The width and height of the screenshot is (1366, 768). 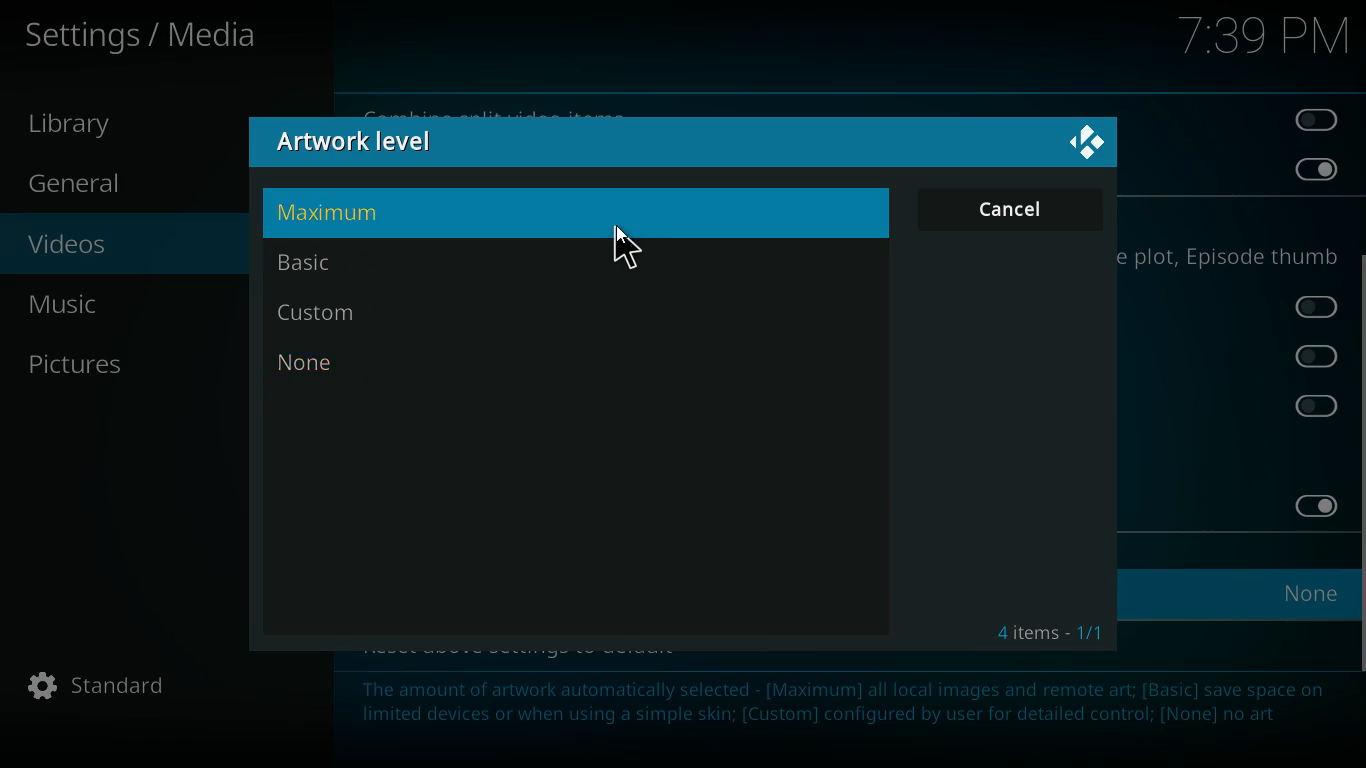 I want to click on time, so click(x=1260, y=38).